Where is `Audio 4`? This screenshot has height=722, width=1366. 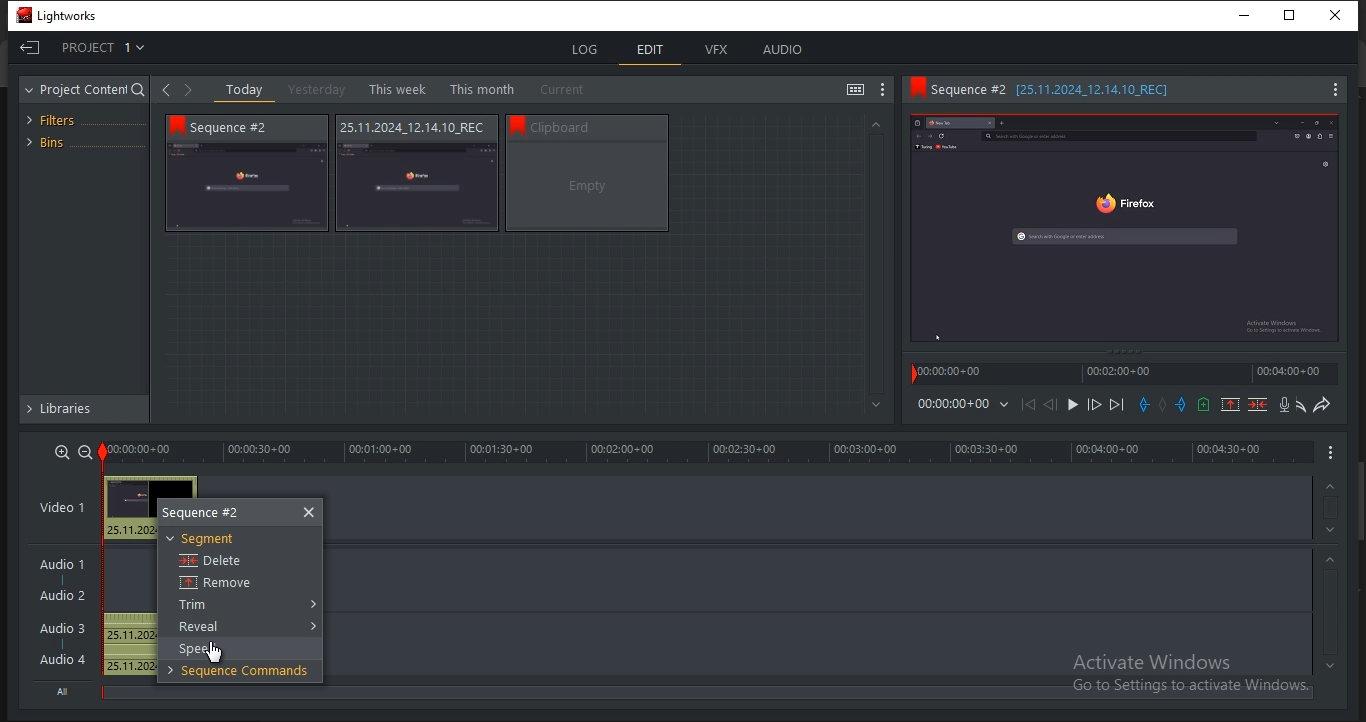 Audio 4 is located at coordinates (65, 660).